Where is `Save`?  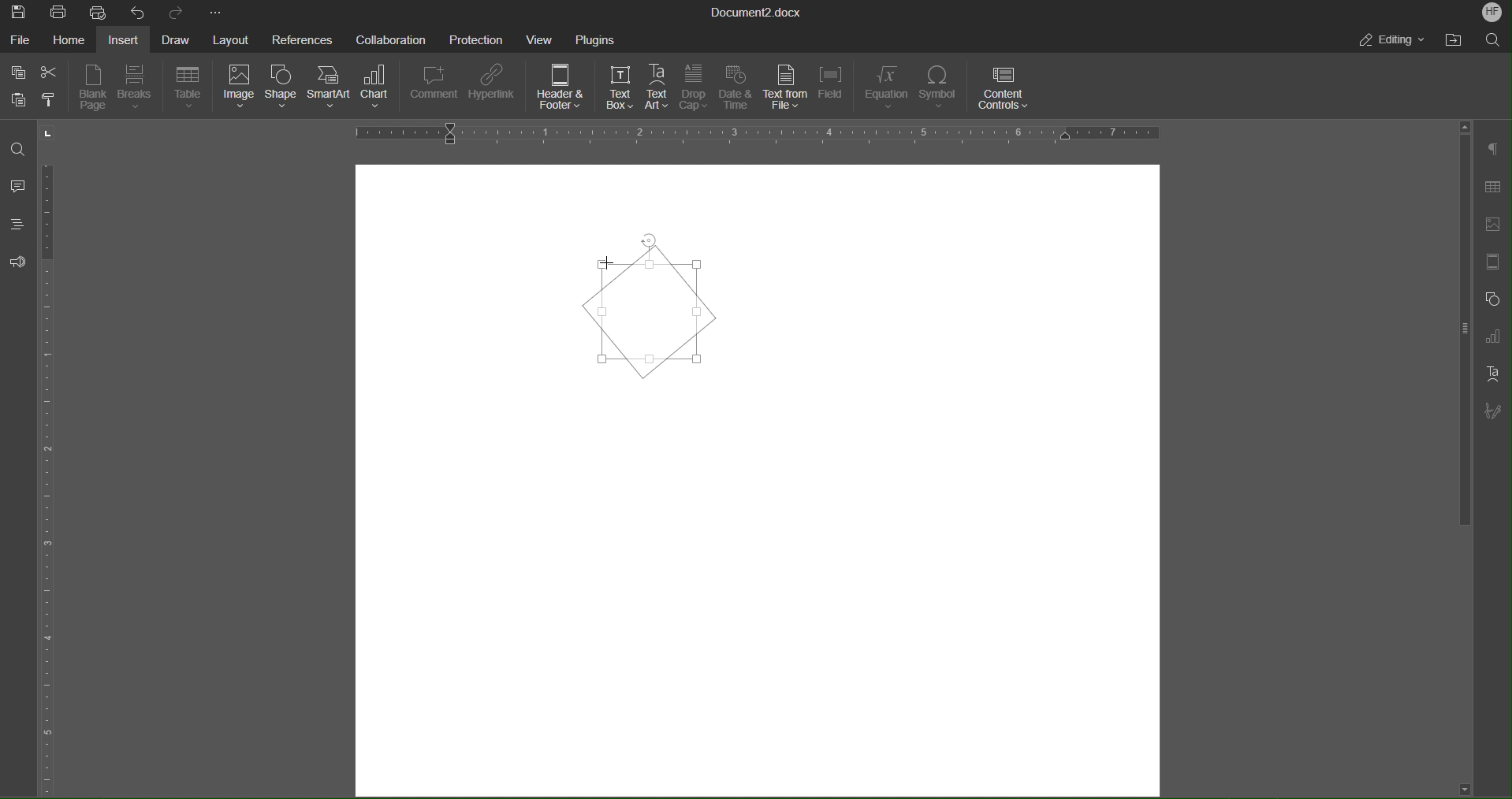
Save is located at coordinates (20, 11).